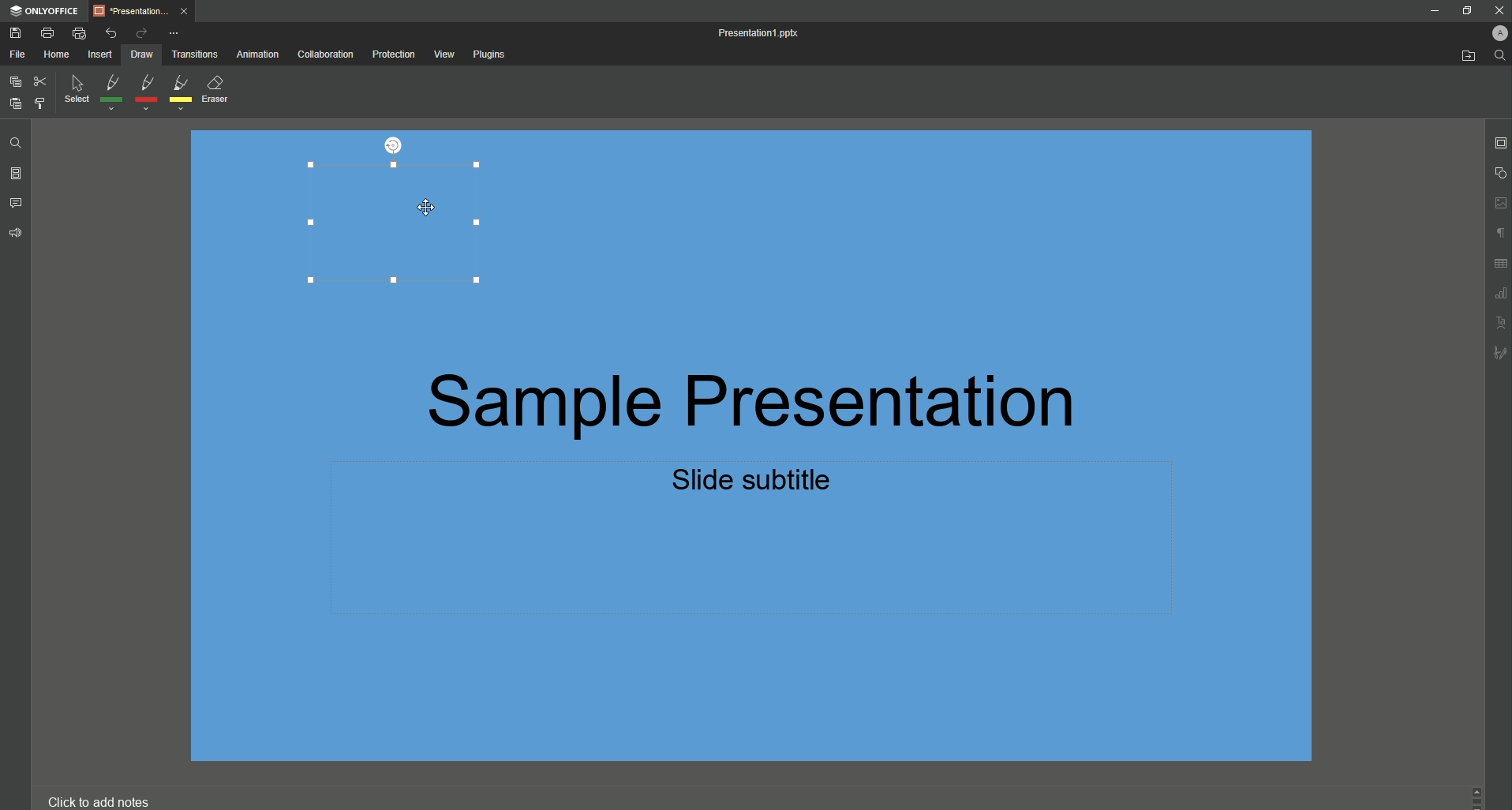 The image size is (1512, 810). What do you see at coordinates (144, 92) in the screenshot?
I see `Red` at bounding box center [144, 92].